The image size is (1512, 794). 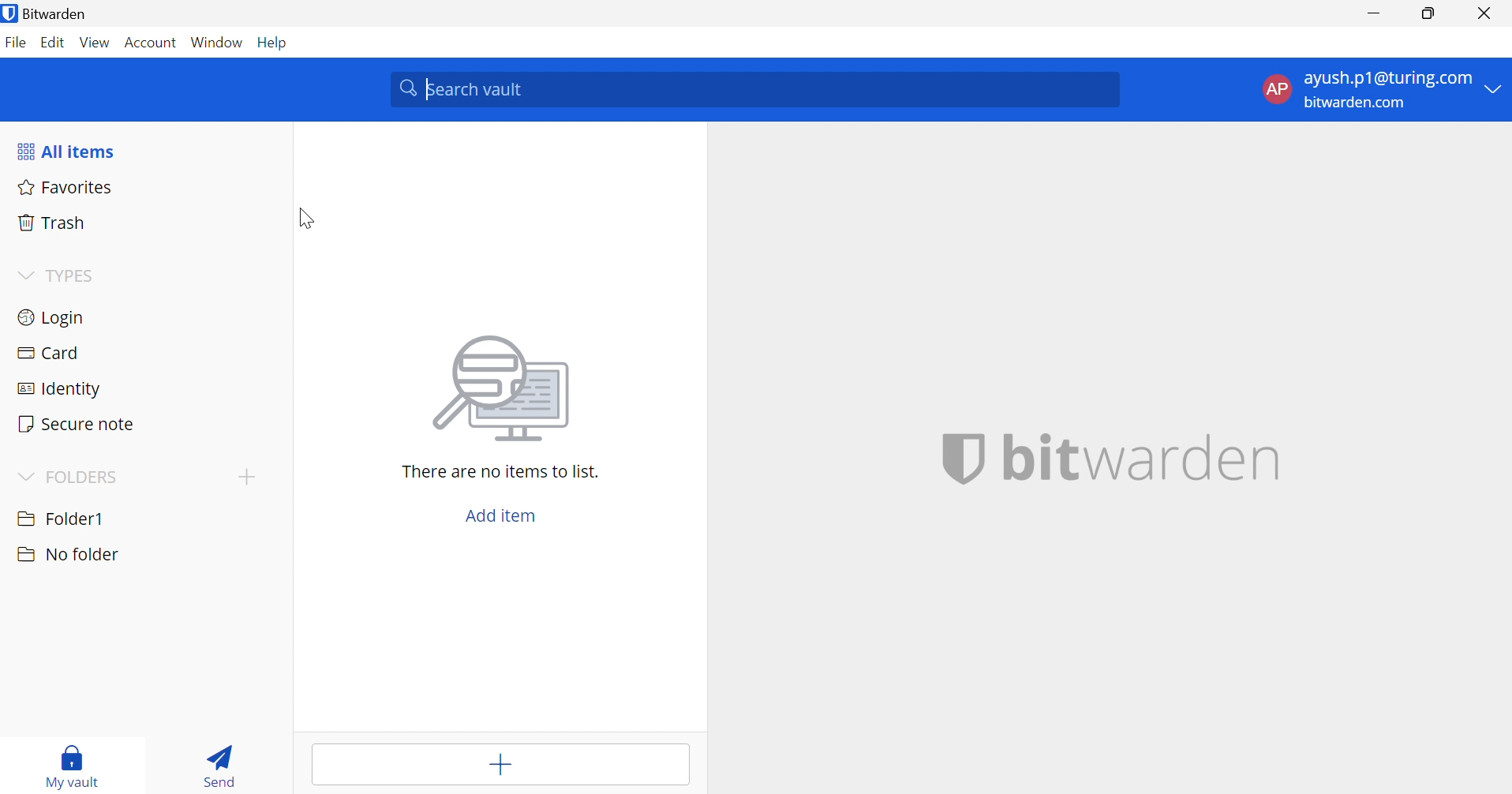 I want to click on Search Vault, so click(x=758, y=90).